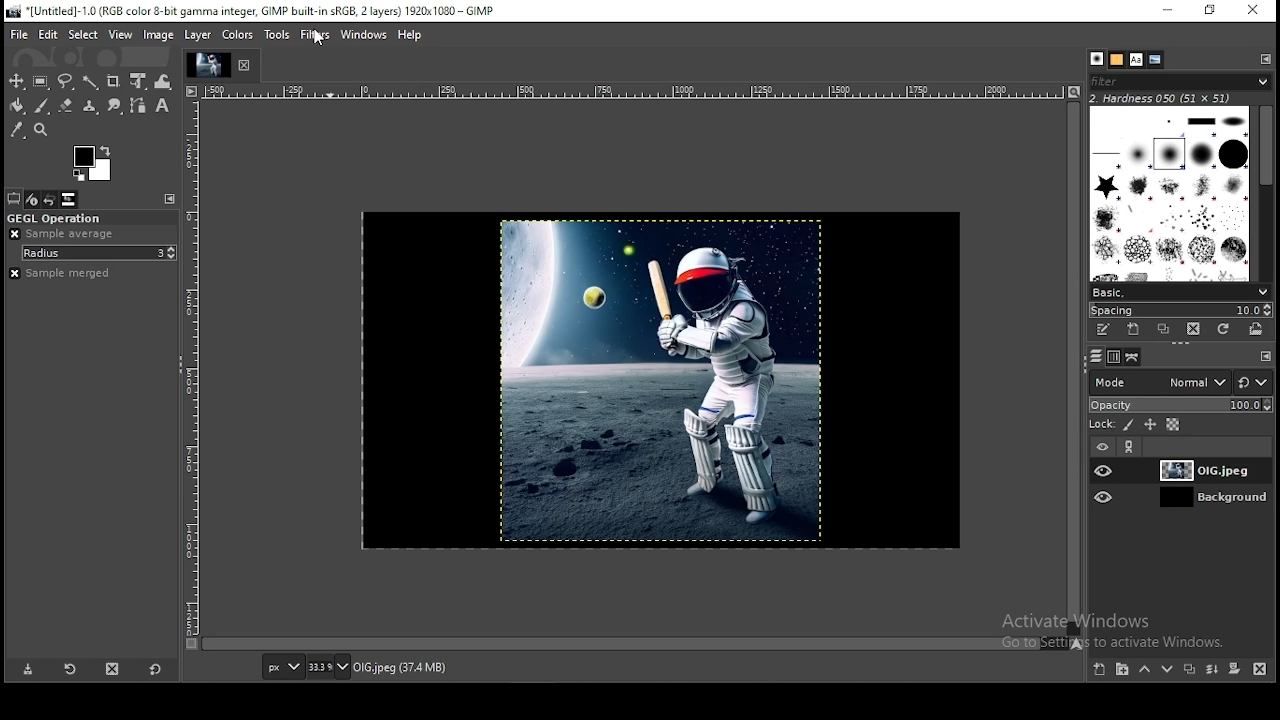 This screenshot has height=720, width=1280. I want to click on device status, so click(33, 200).